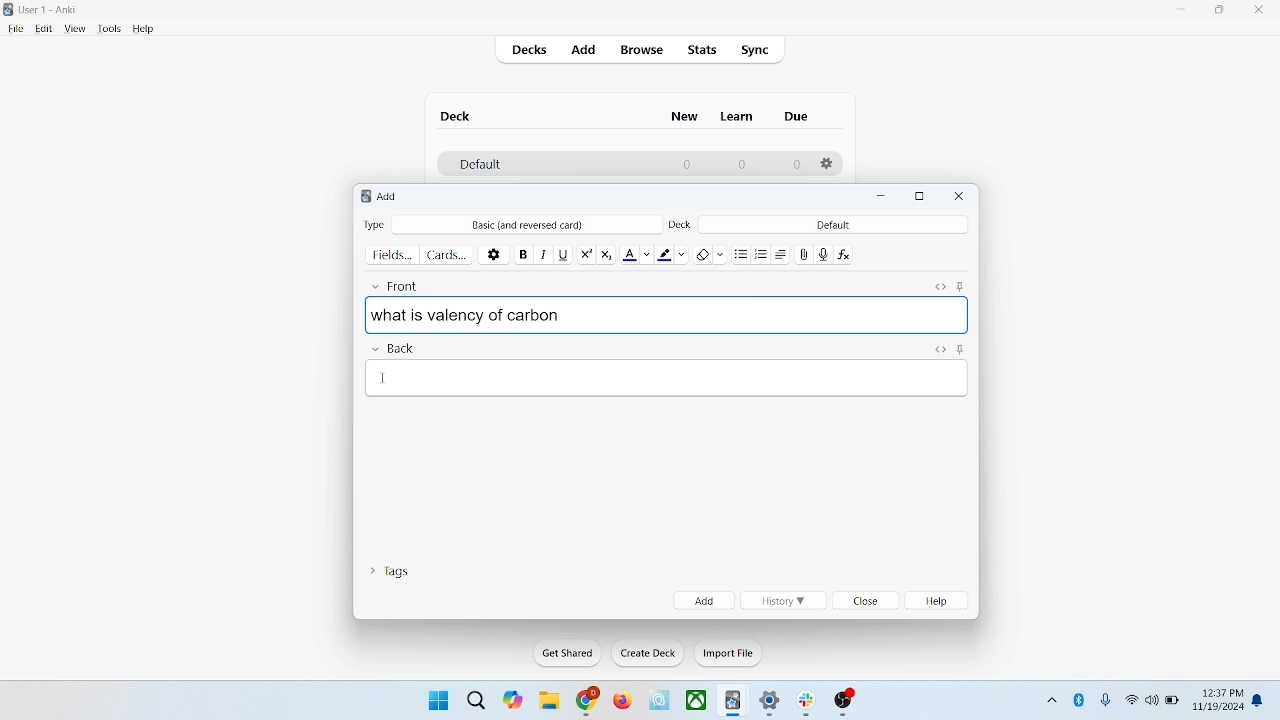  What do you see at coordinates (548, 702) in the screenshot?
I see `folder` at bounding box center [548, 702].